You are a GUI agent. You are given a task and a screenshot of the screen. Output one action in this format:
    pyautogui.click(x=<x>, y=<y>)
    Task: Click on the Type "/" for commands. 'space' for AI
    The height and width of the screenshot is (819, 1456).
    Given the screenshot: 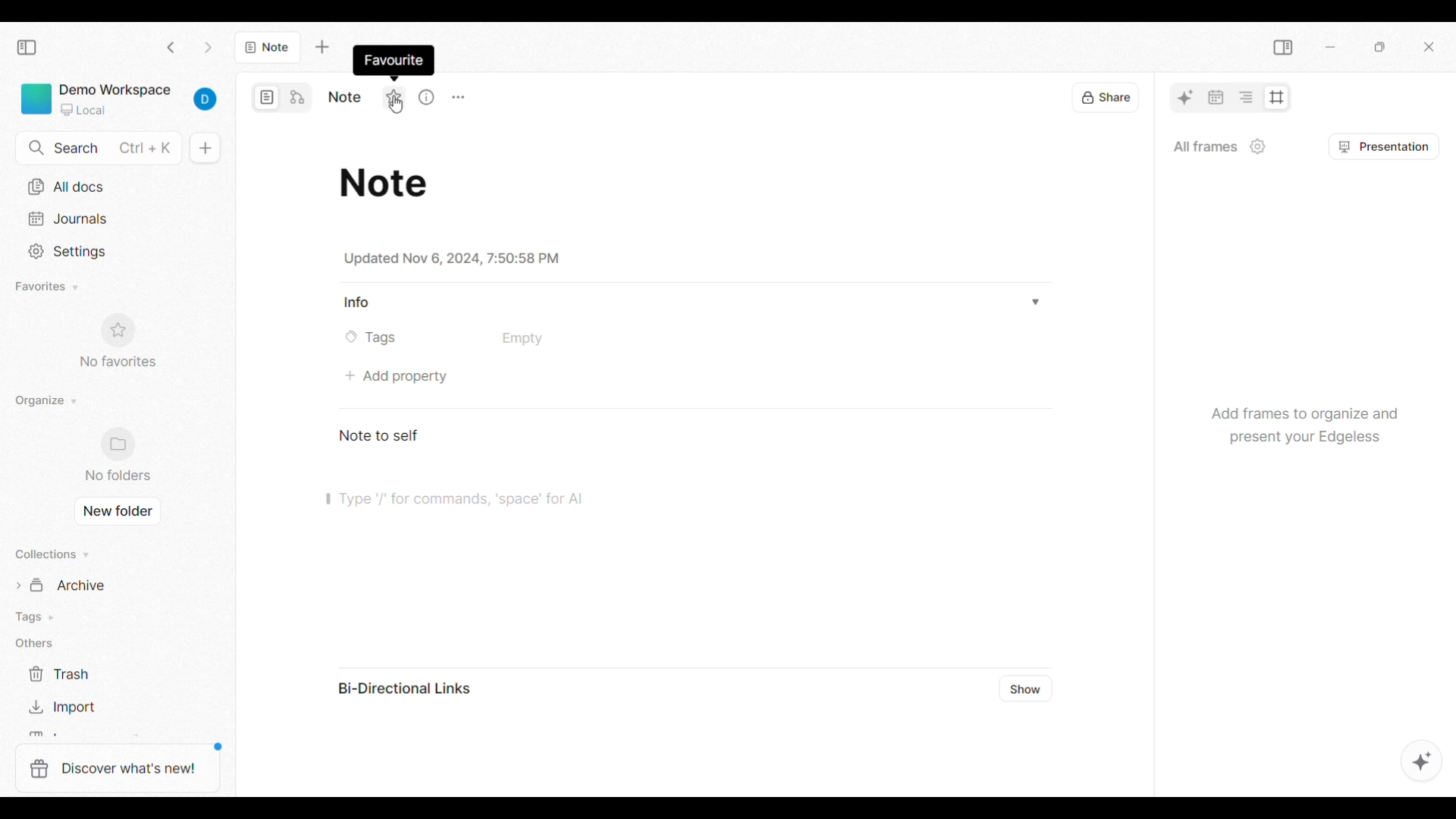 What is the action you would take?
    pyautogui.click(x=520, y=500)
    